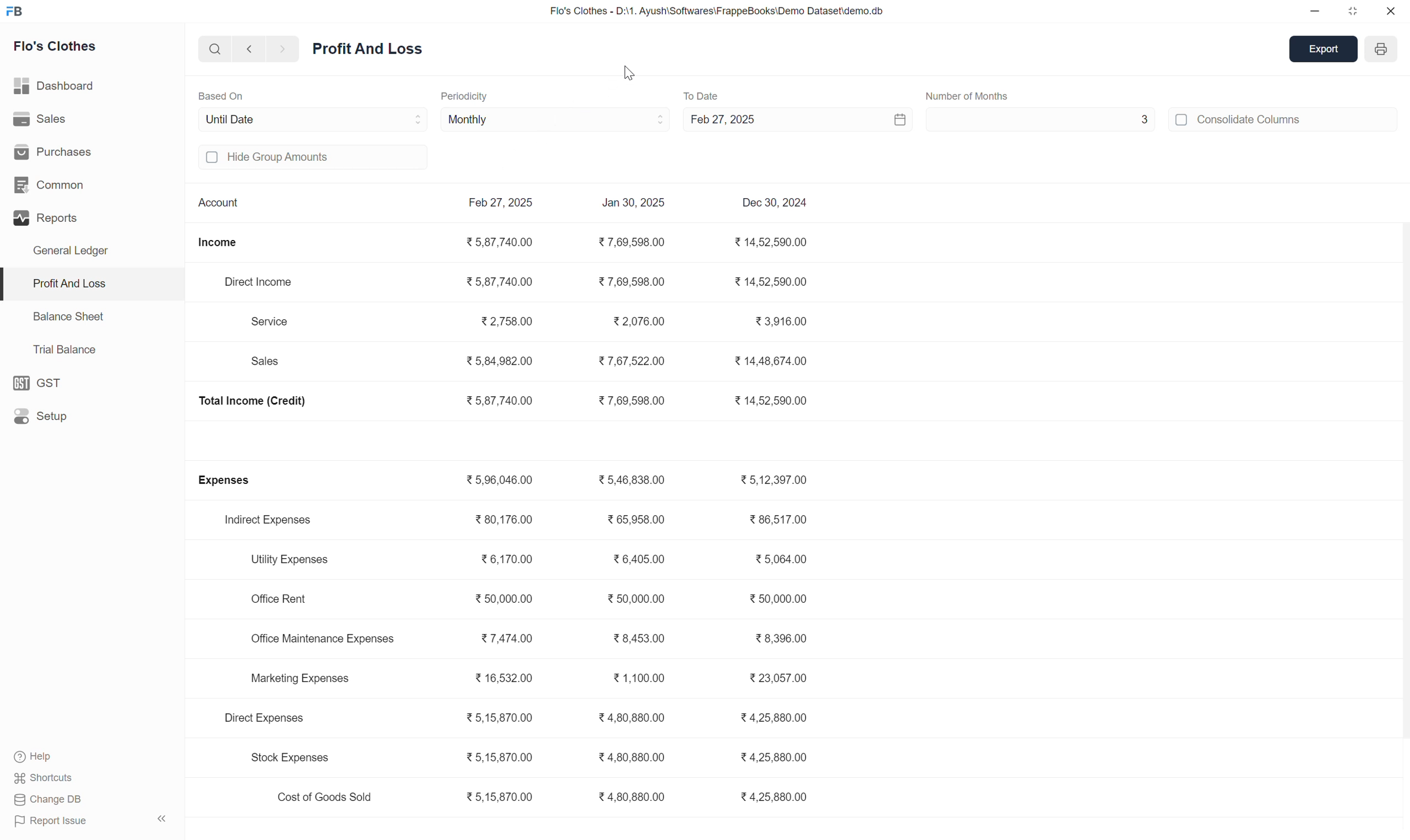 The height and width of the screenshot is (840, 1410). I want to click on Marketing Expenses, so click(294, 678).